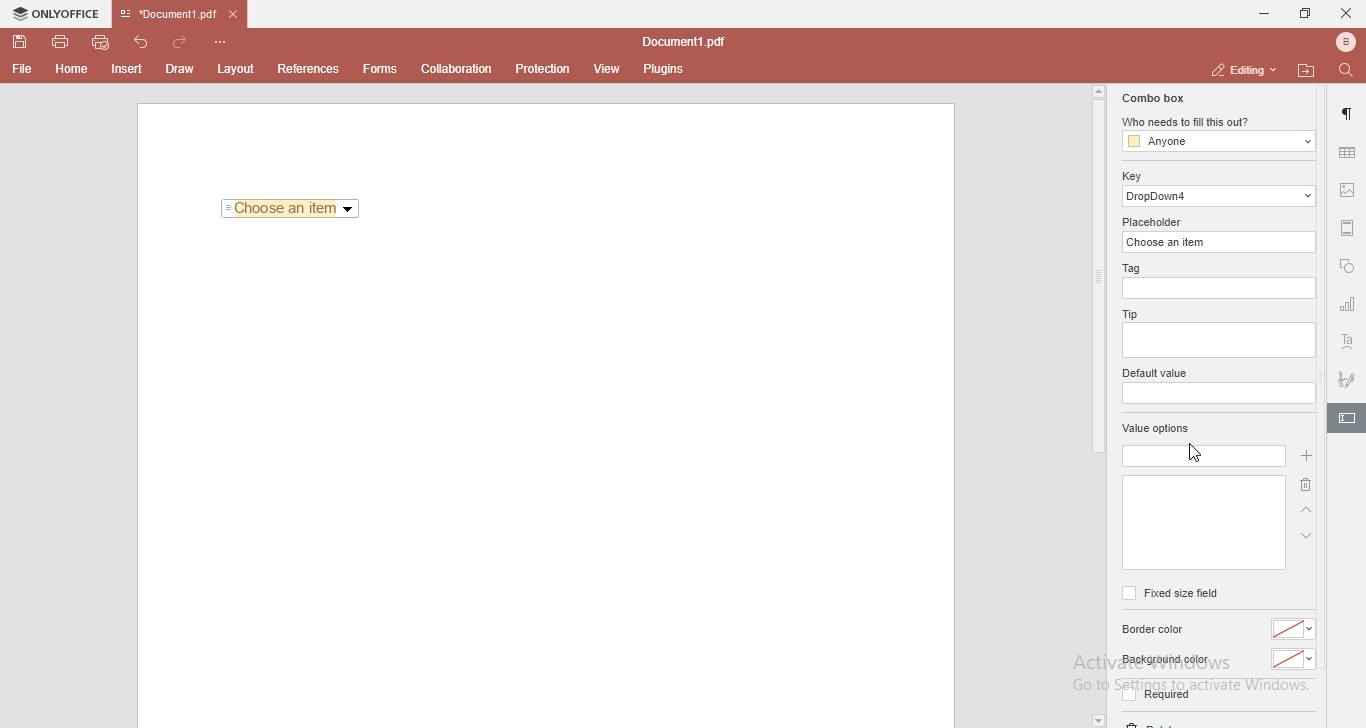  Describe the element at coordinates (1307, 536) in the screenshot. I see `arrow down` at that location.